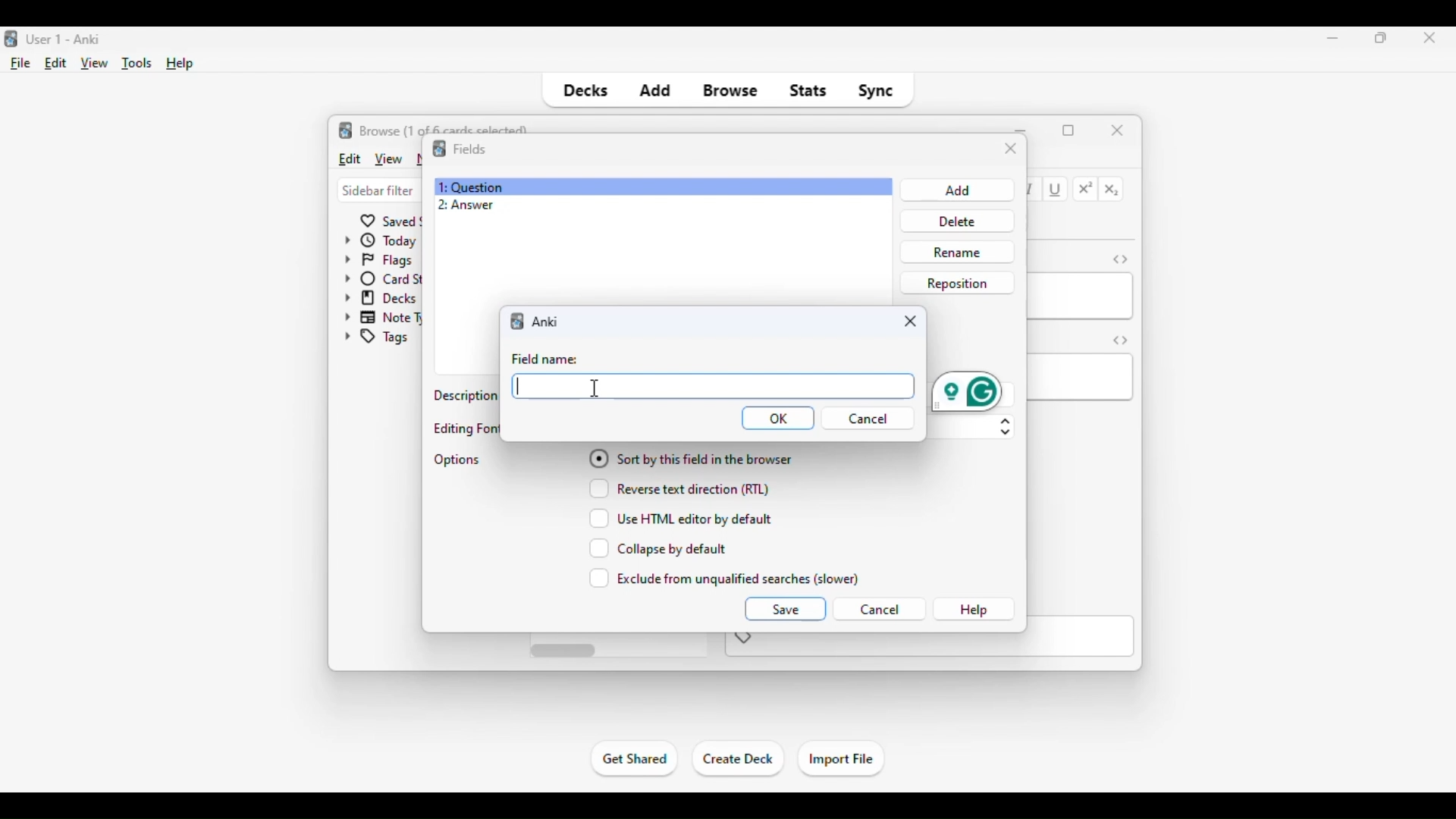  What do you see at coordinates (65, 39) in the screenshot?
I see `title` at bounding box center [65, 39].